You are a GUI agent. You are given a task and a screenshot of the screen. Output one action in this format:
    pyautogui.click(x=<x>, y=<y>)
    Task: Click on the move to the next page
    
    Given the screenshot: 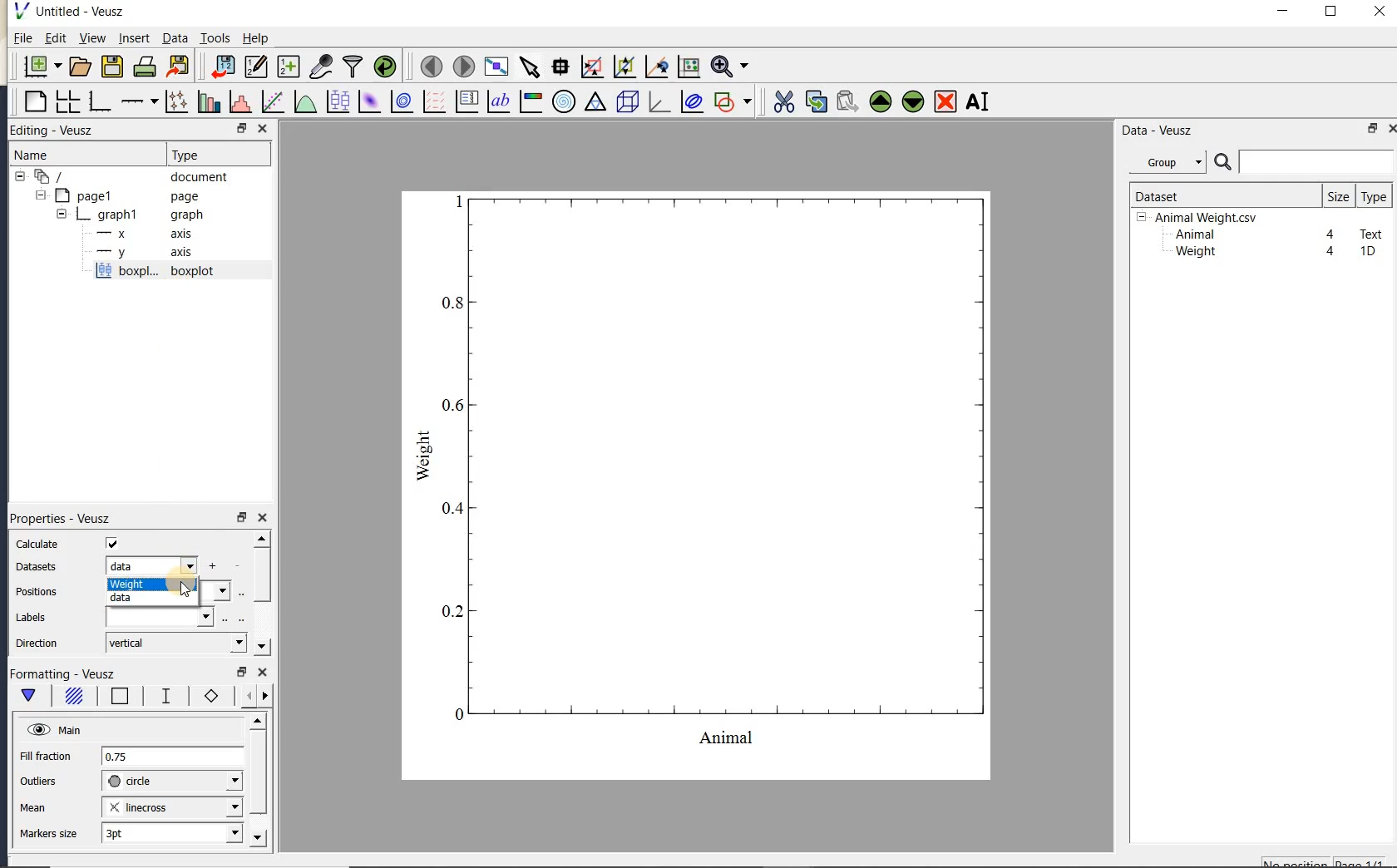 What is the action you would take?
    pyautogui.click(x=462, y=65)
    